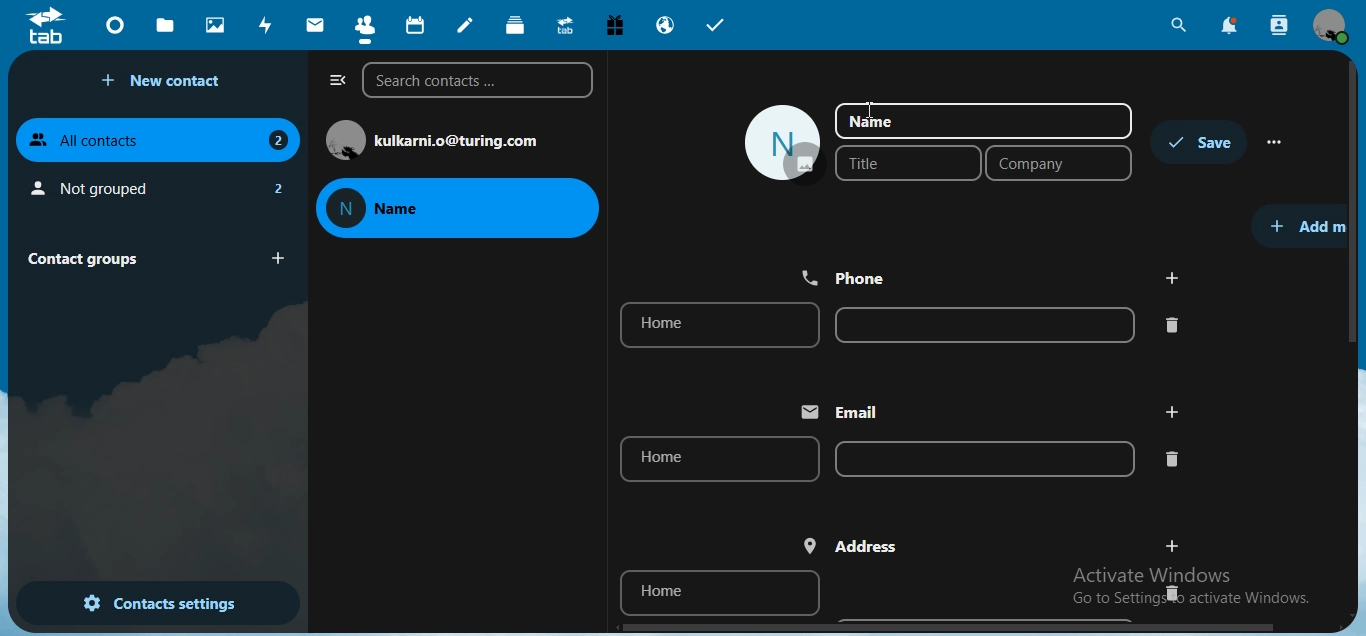 This screenshot has width=1366, height=636. What do you see at coordinates (782, 144) in the screenshot?
I see `image` at bounding box center [782, 144].